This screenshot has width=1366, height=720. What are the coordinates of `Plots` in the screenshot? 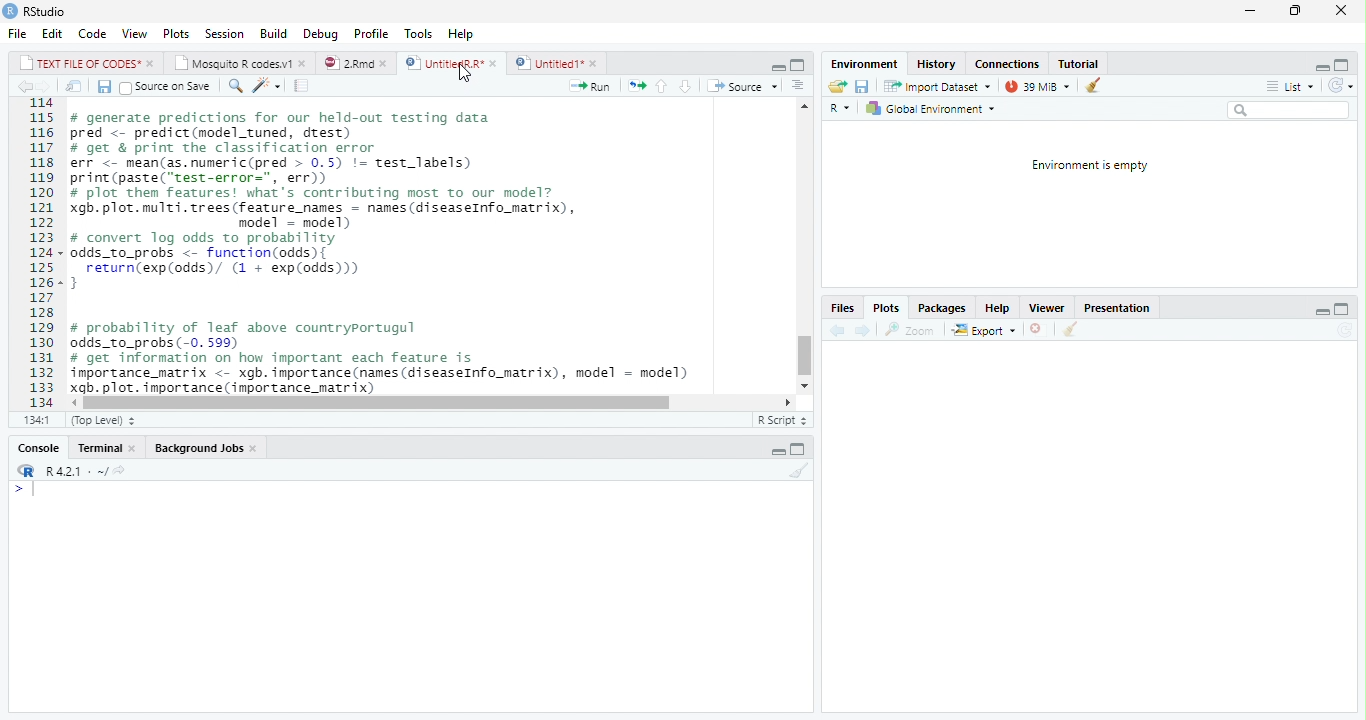 It's located at (885, 308).